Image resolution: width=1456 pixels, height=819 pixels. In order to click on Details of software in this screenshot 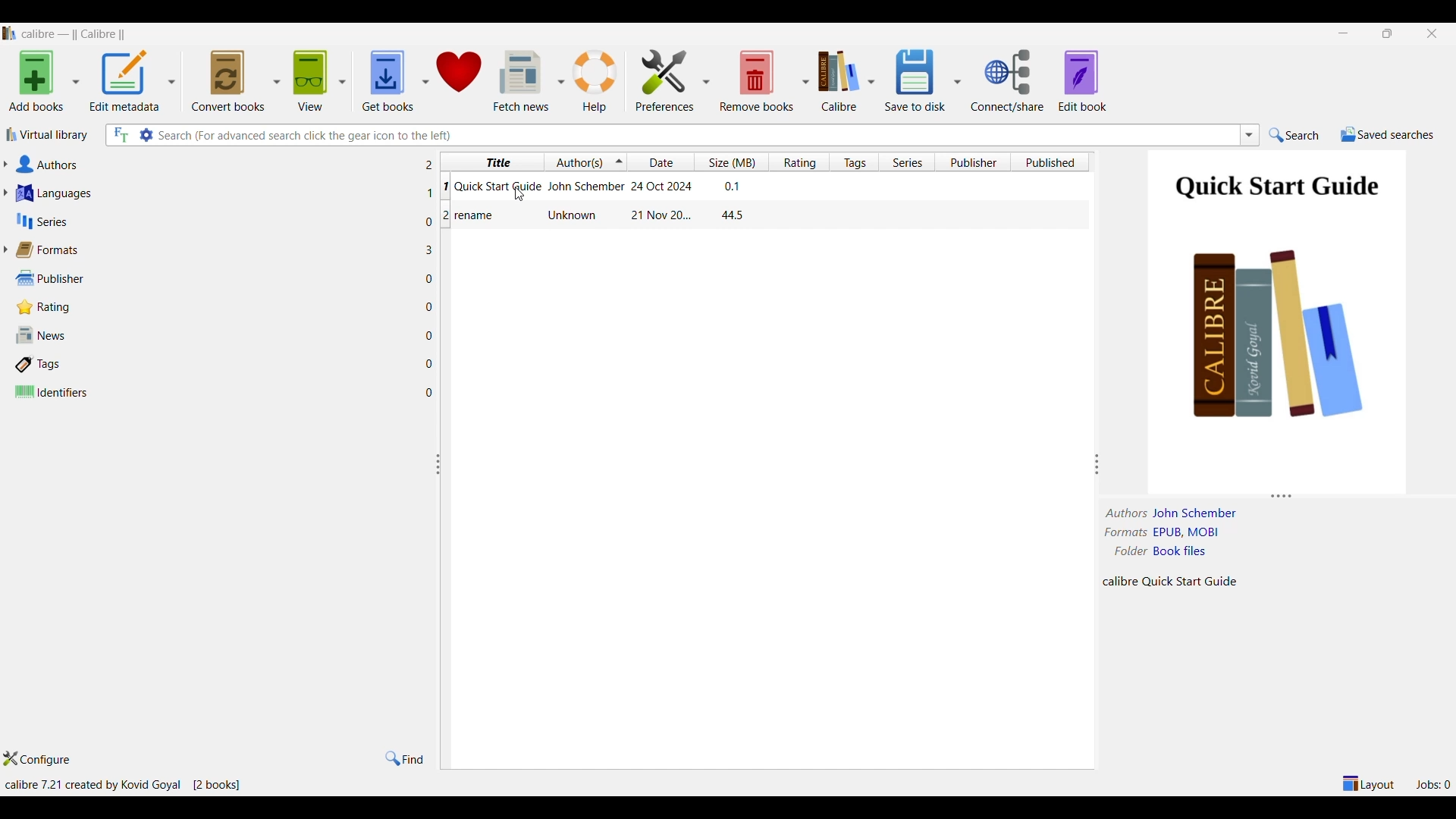, I will do `click(124, 785)`.